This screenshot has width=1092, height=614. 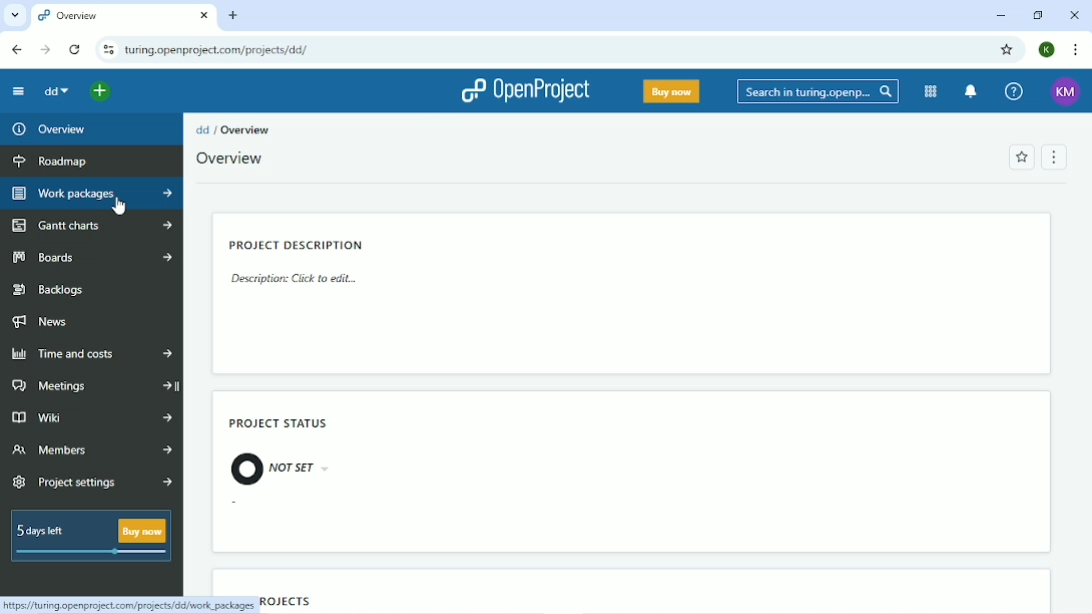 I want to click on OpenProject, so click(x=525, y=90).